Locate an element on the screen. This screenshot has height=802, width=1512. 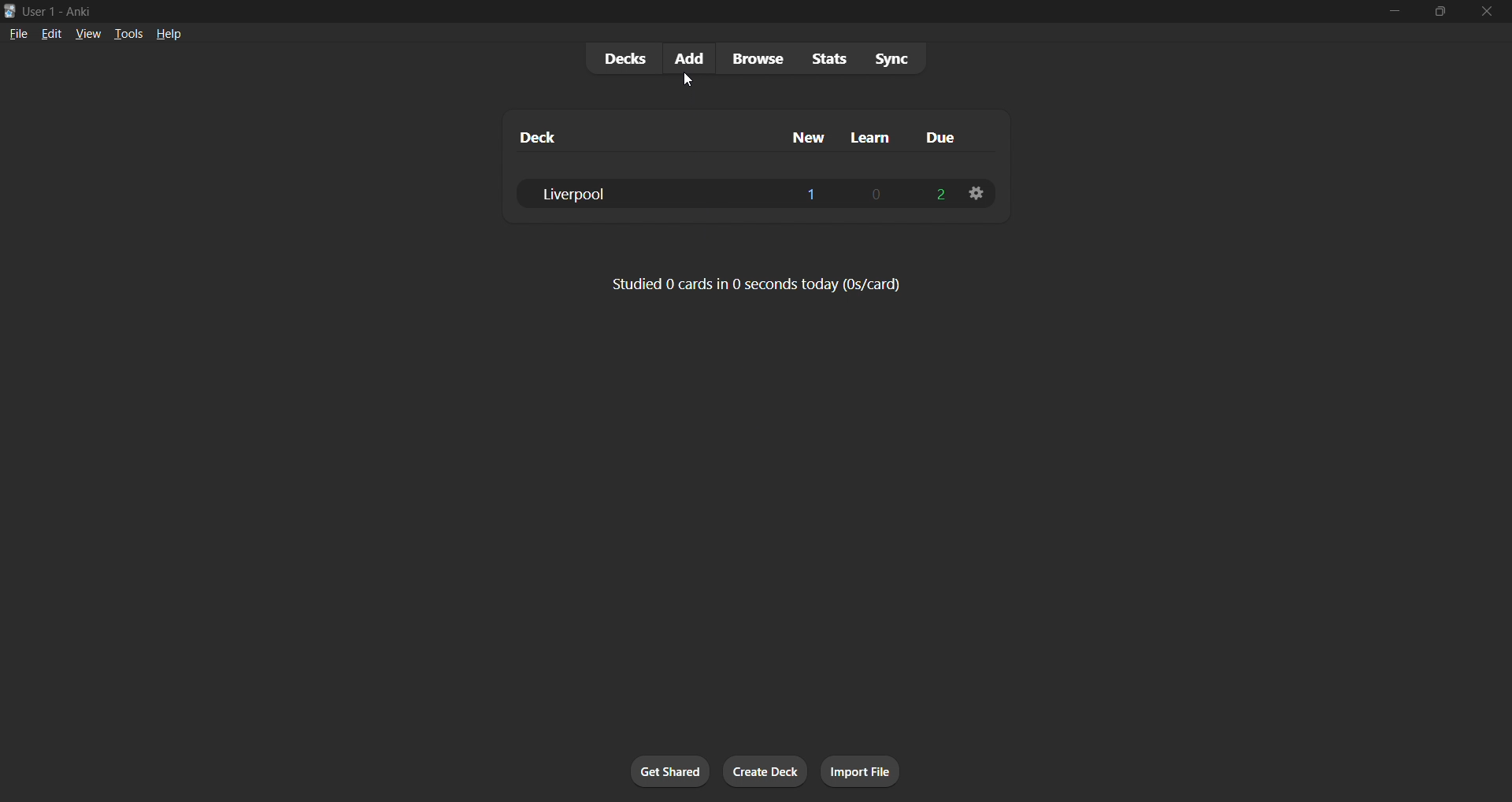
add is located at coordinates (685, 58).